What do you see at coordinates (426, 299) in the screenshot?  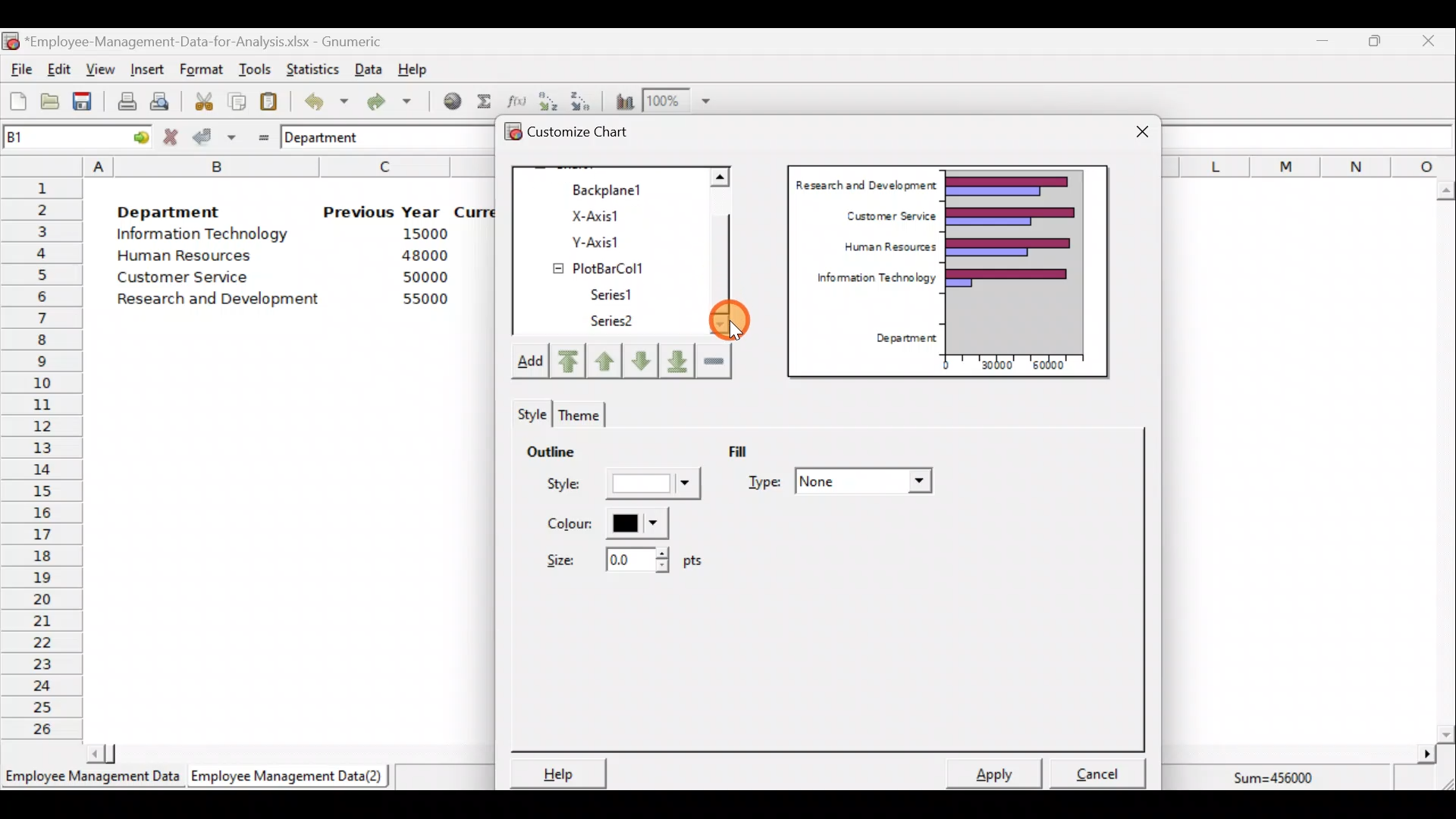 I see `55000` at bounding box center [426, 299].